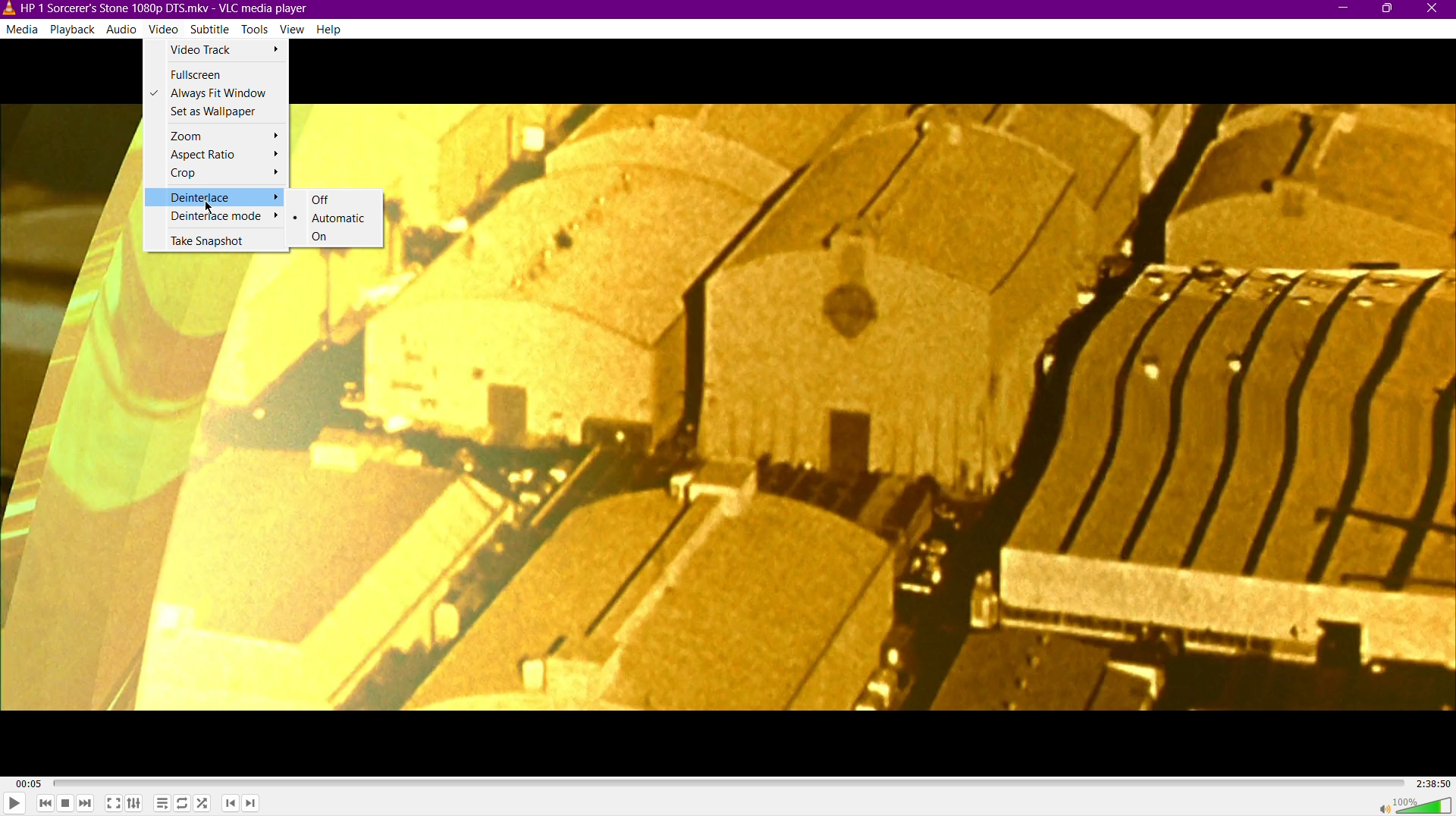 This screenshot has width=1456, height=816. I want to click on Aspect Ratio, so click(215, 156).